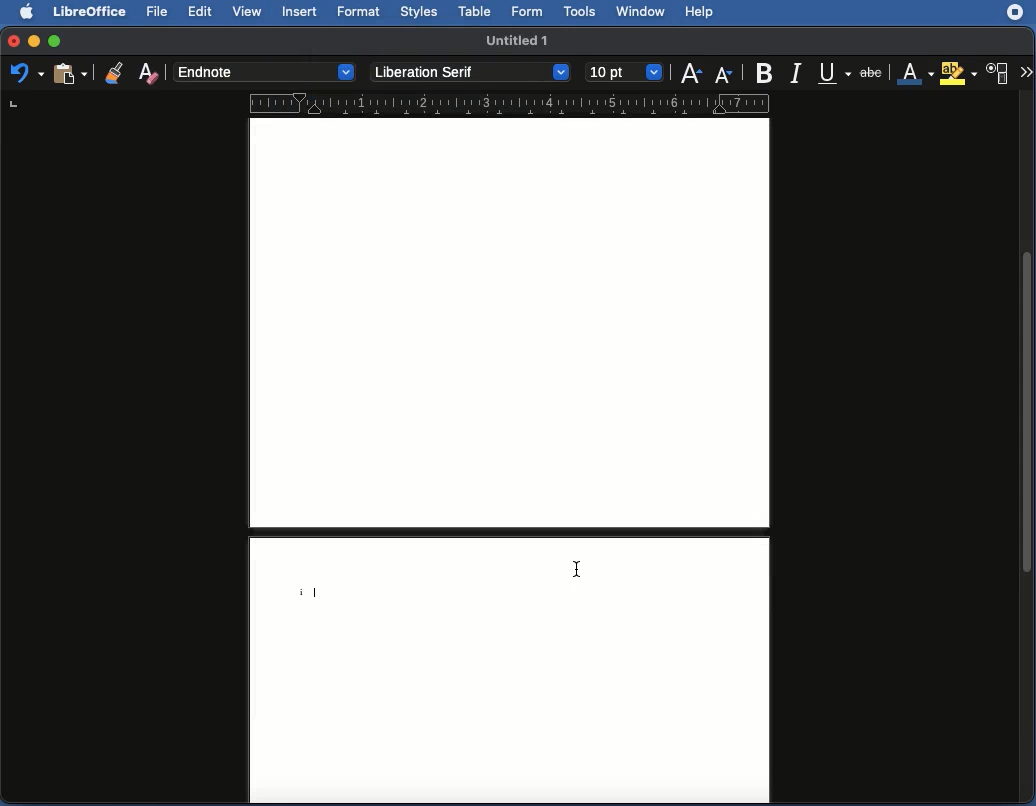 The height and width of the screenshot is (806, 1036). I want to click on Help, so click(700, 11).